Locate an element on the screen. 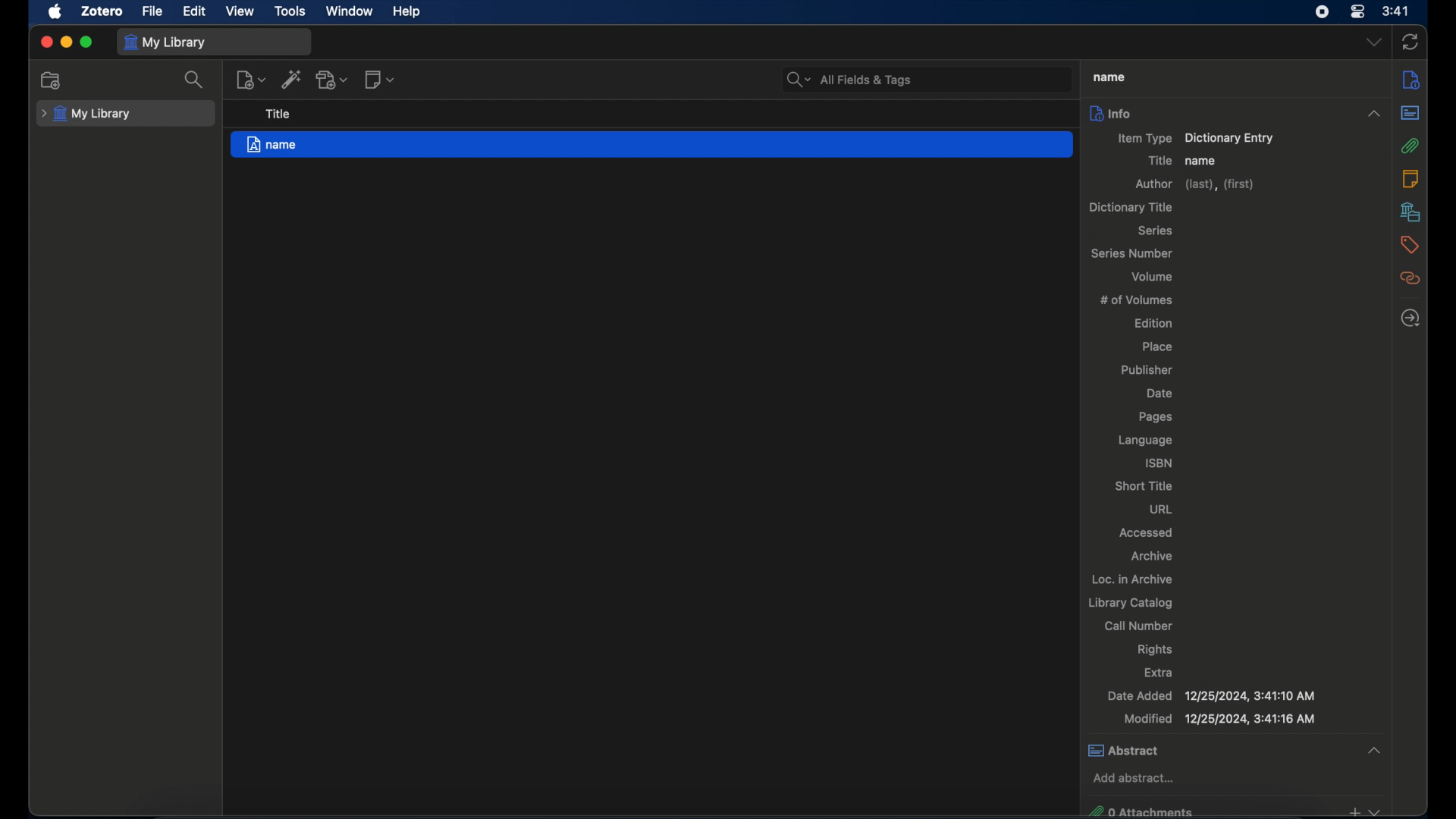  0 attachments is located at coordinates (1233, 810).